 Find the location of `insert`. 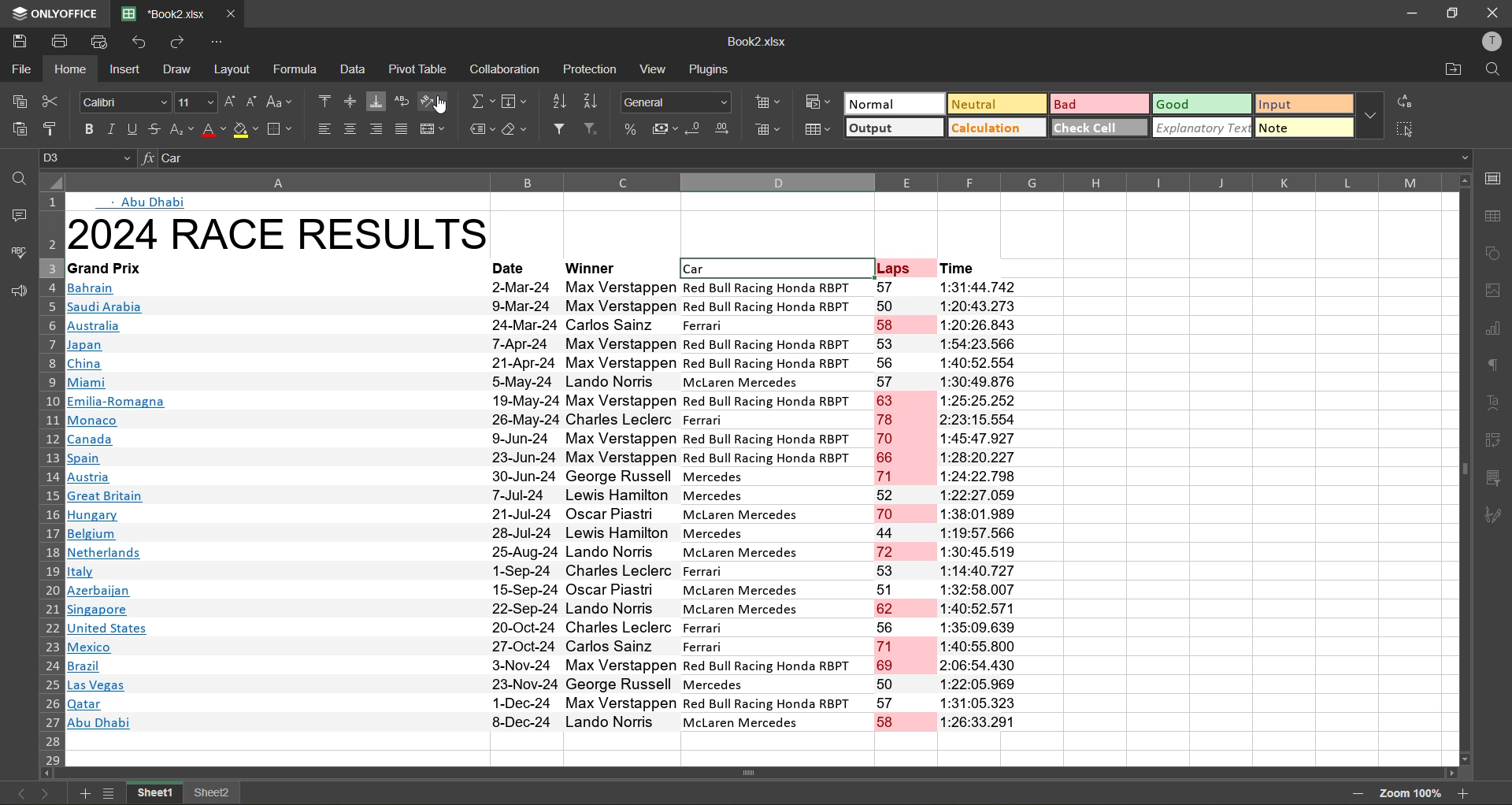

insert is located at coordinates (122, 69).